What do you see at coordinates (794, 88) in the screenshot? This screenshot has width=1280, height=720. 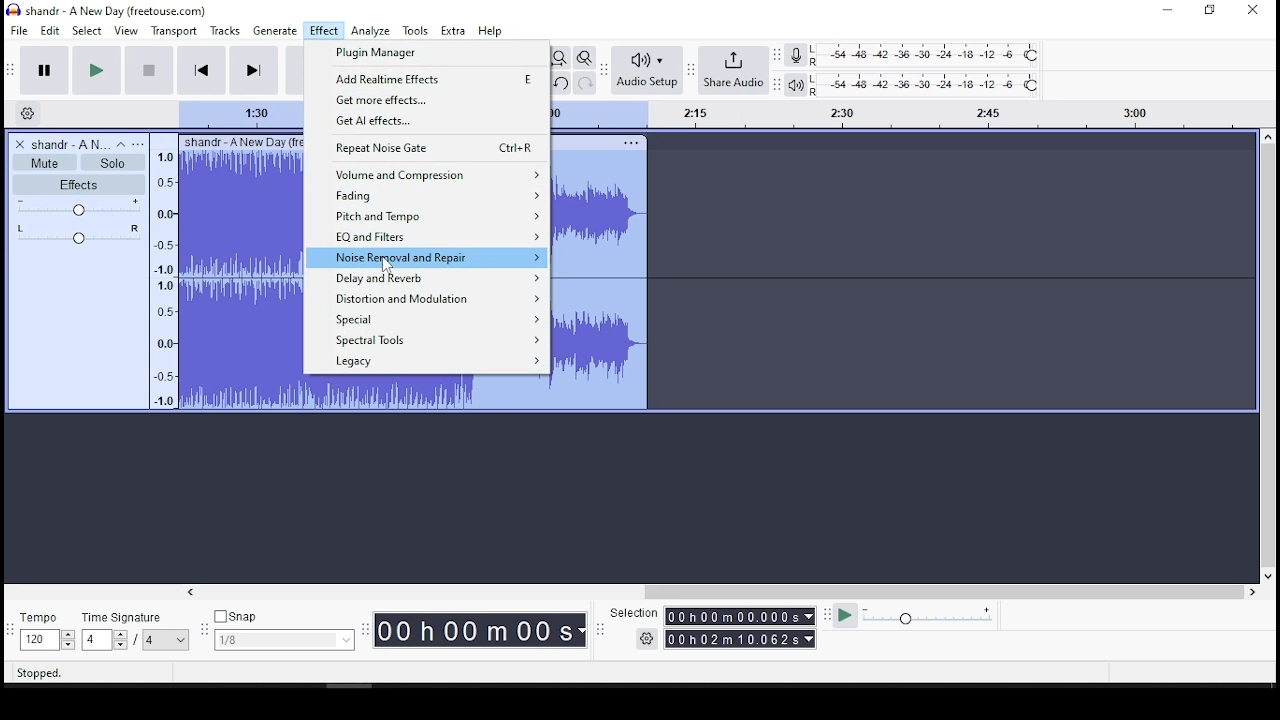 I see `volume` at bounding box center [794, 88].